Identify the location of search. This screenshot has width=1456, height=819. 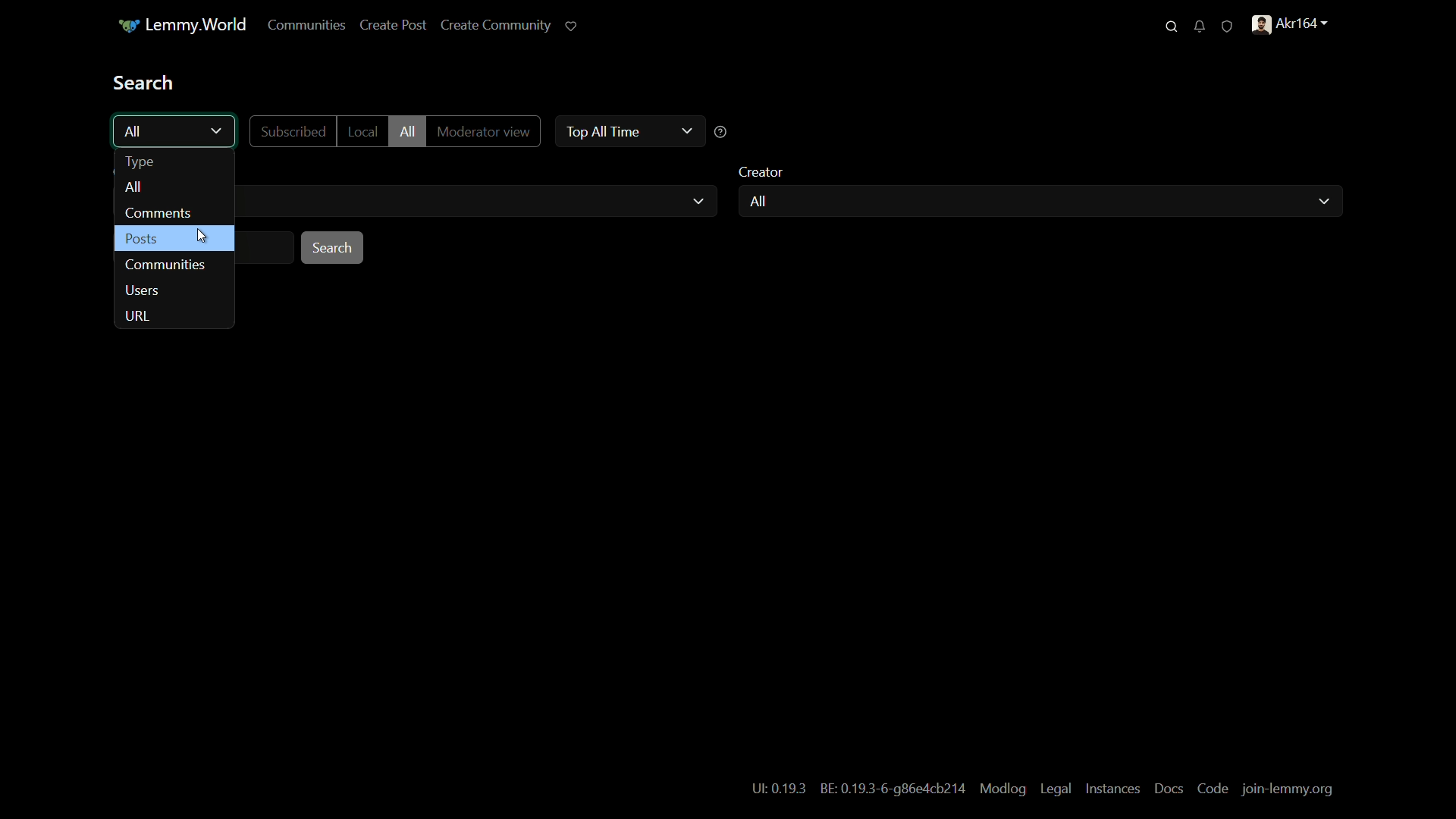
(1172, 27).